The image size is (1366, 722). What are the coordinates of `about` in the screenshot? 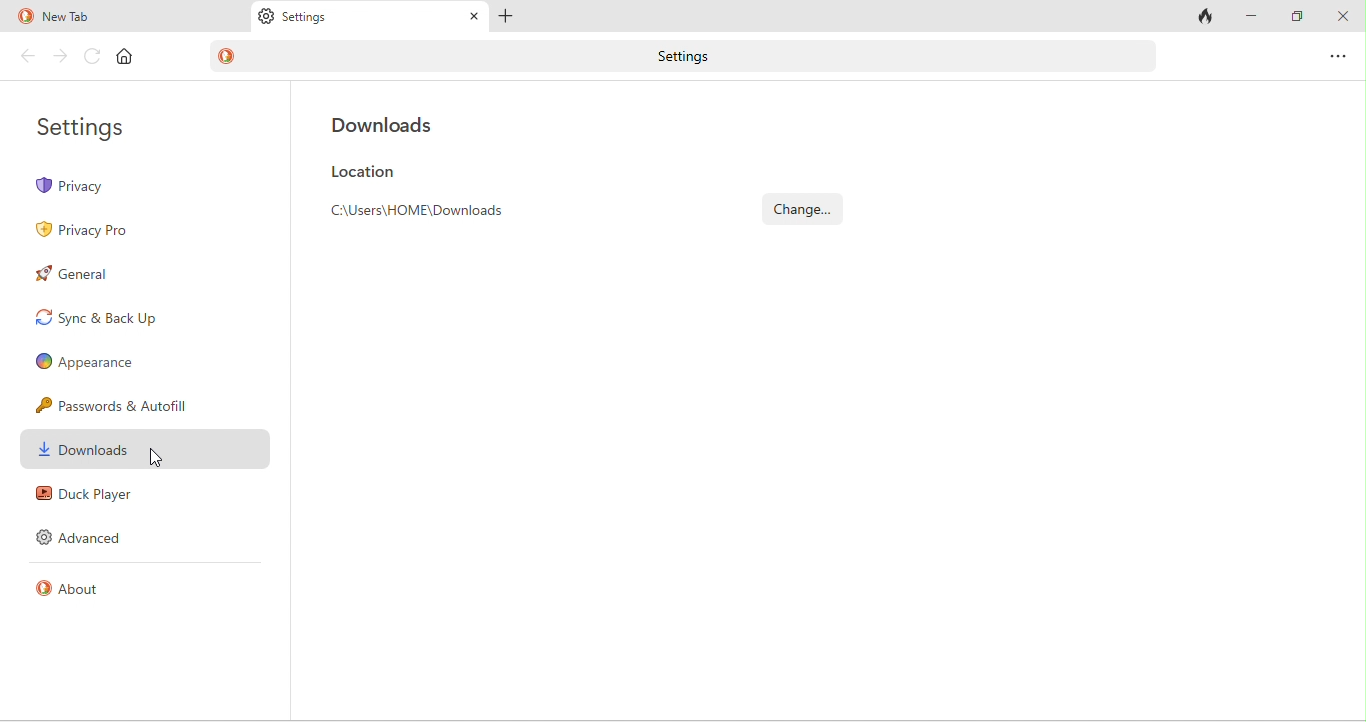 It's located at (78, 591).